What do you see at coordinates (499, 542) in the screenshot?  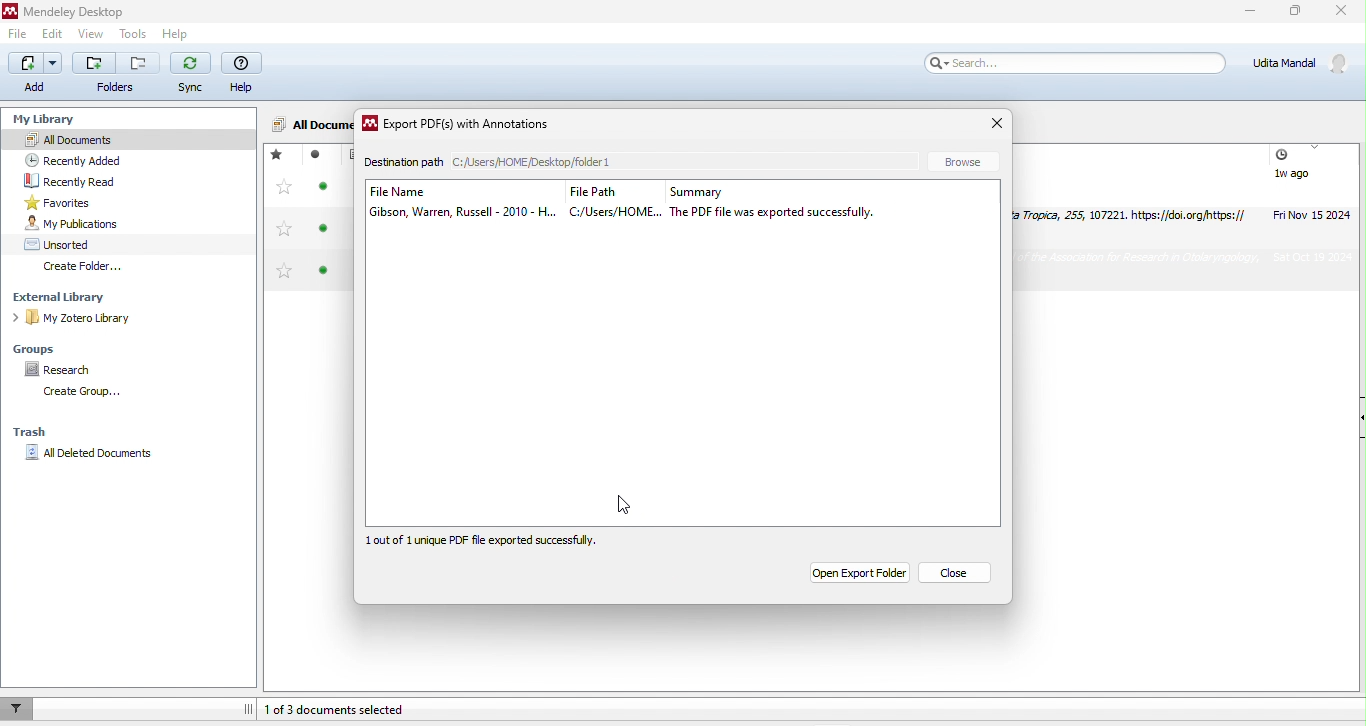 I see `1 out of 1 unique pdf file exported successfully` at bounding box center [499, 542].